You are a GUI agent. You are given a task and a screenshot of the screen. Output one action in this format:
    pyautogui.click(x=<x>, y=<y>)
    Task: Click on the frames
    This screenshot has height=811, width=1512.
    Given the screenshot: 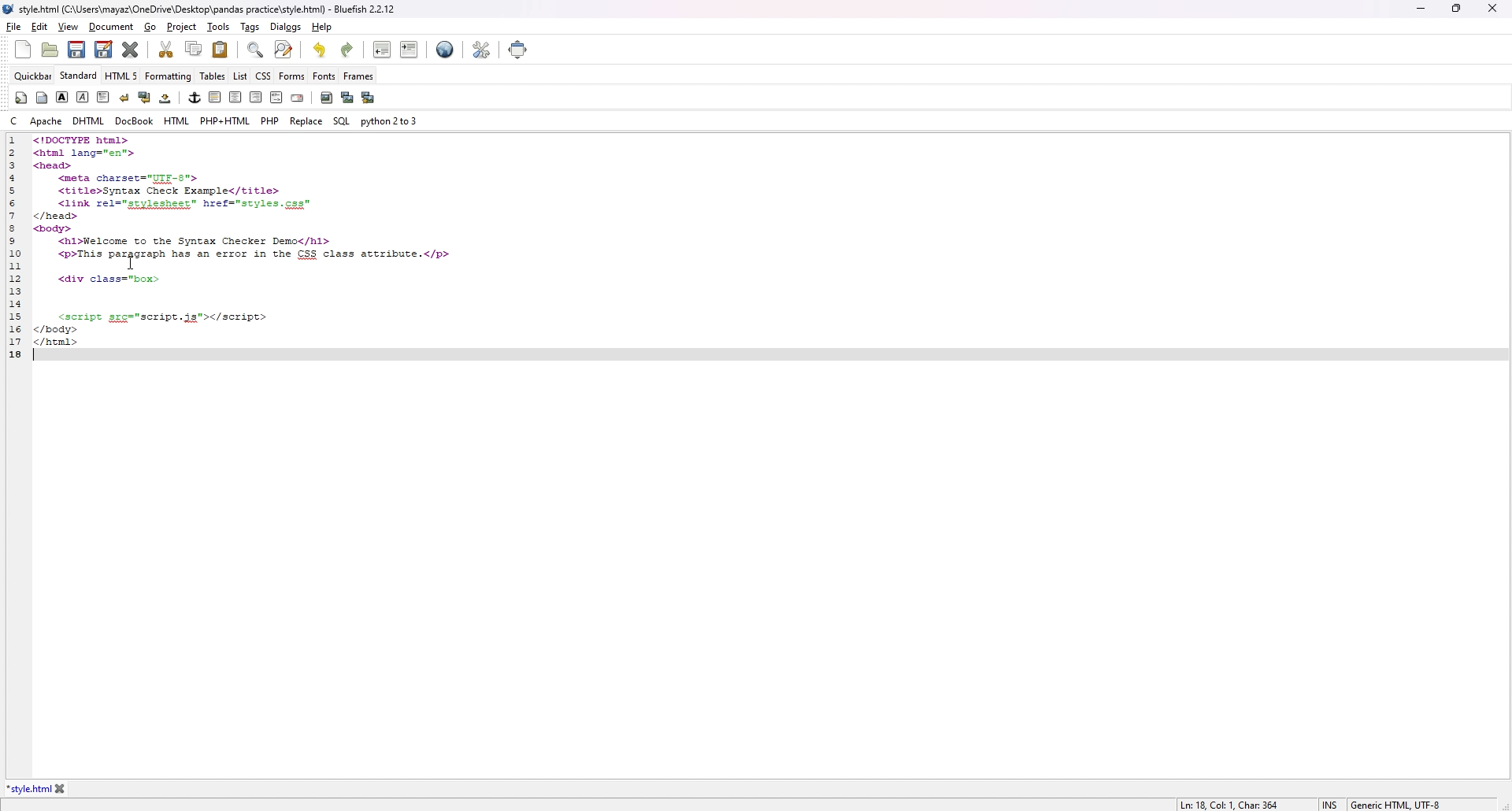 What is the action you would take?
    pyautogui.click(x=363, y=76)
    